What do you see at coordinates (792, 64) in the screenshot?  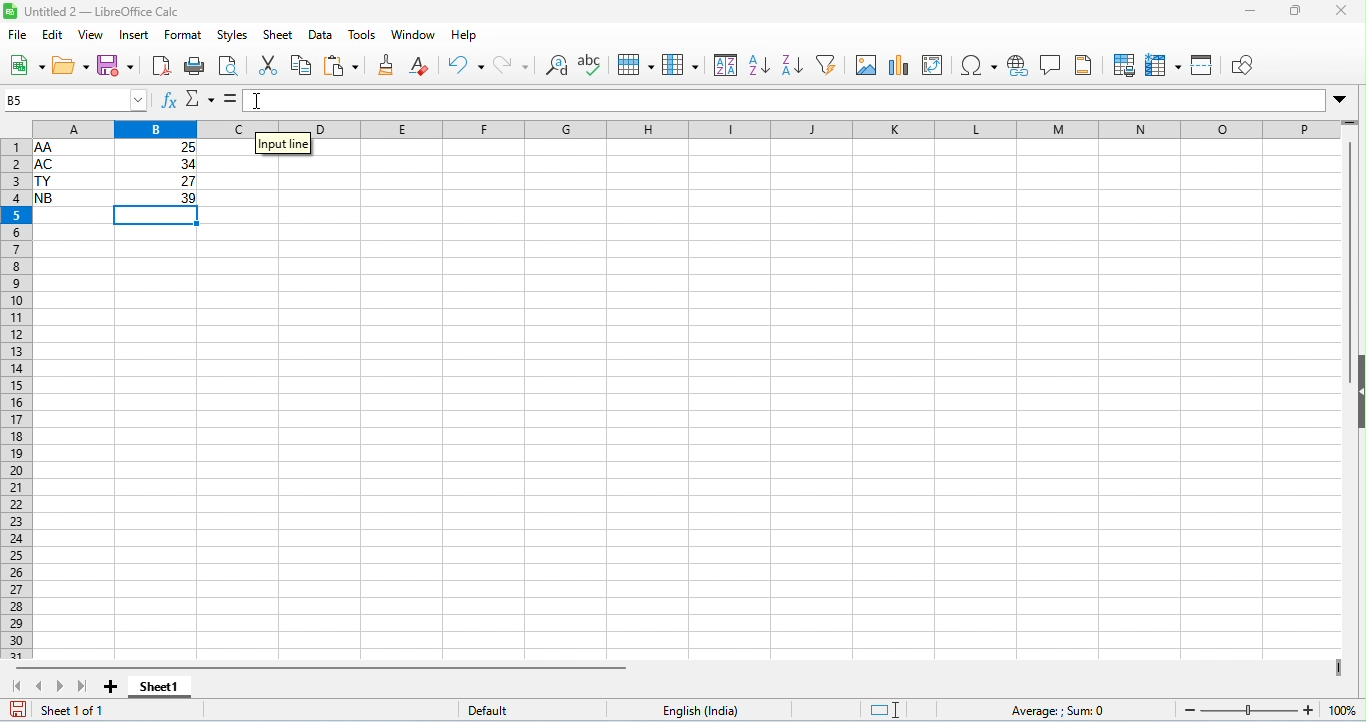 I see `sort descending` at bounding box center [792, 64].